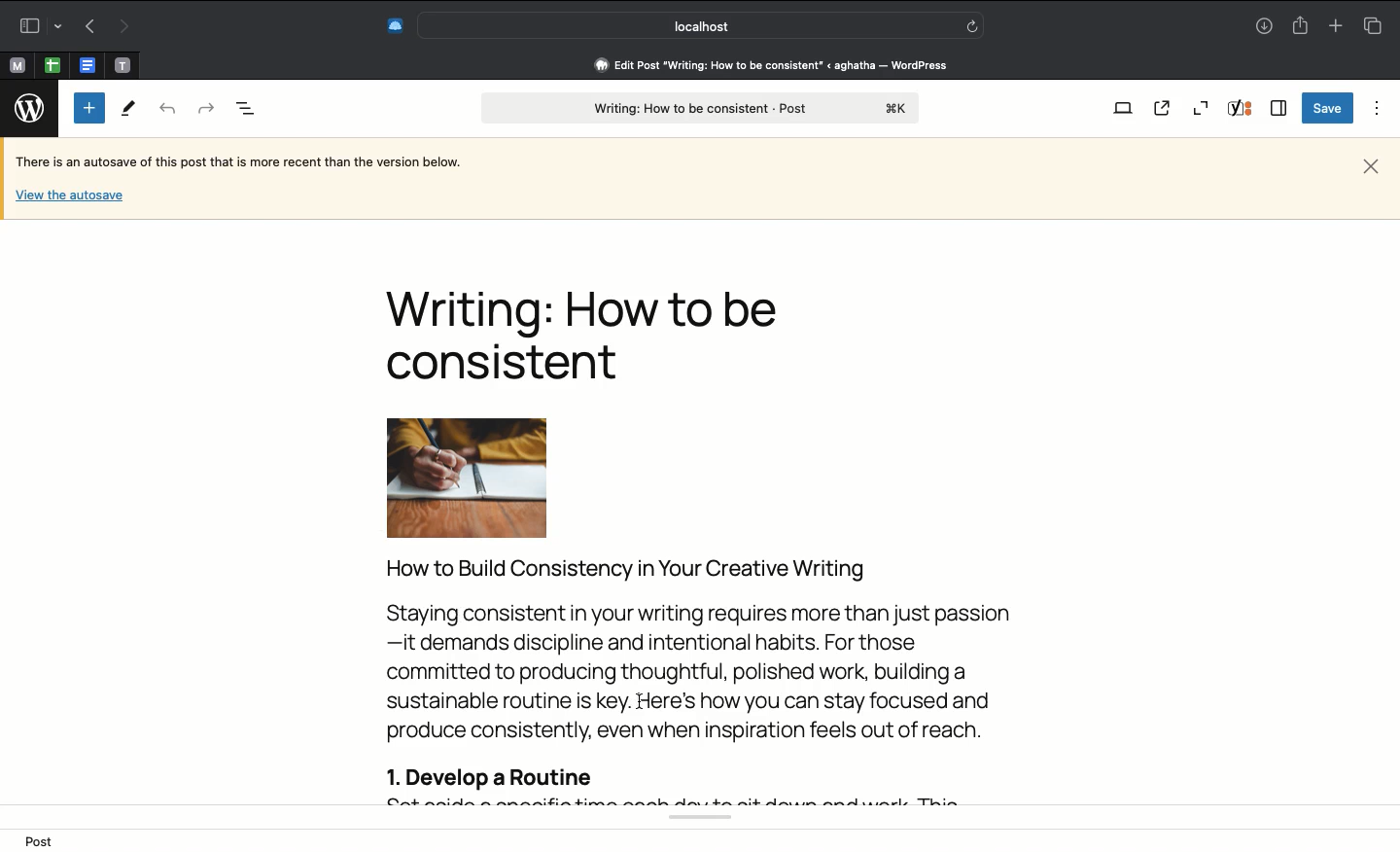 The height and width of the screenshot is (852, 1400). I want to click on Tools, so click(129, 110).